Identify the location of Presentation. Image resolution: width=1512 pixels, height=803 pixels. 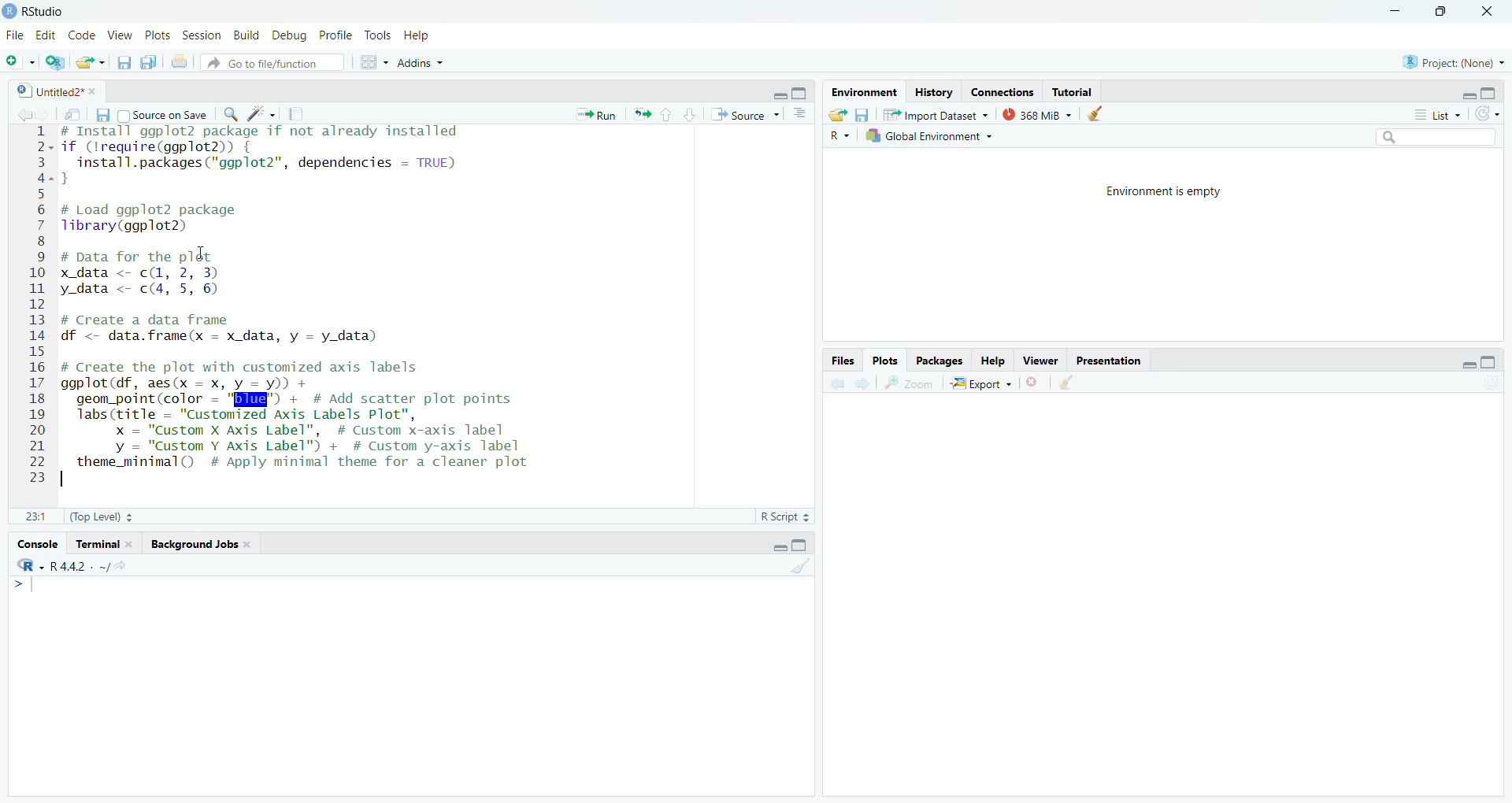
(1112, 362).